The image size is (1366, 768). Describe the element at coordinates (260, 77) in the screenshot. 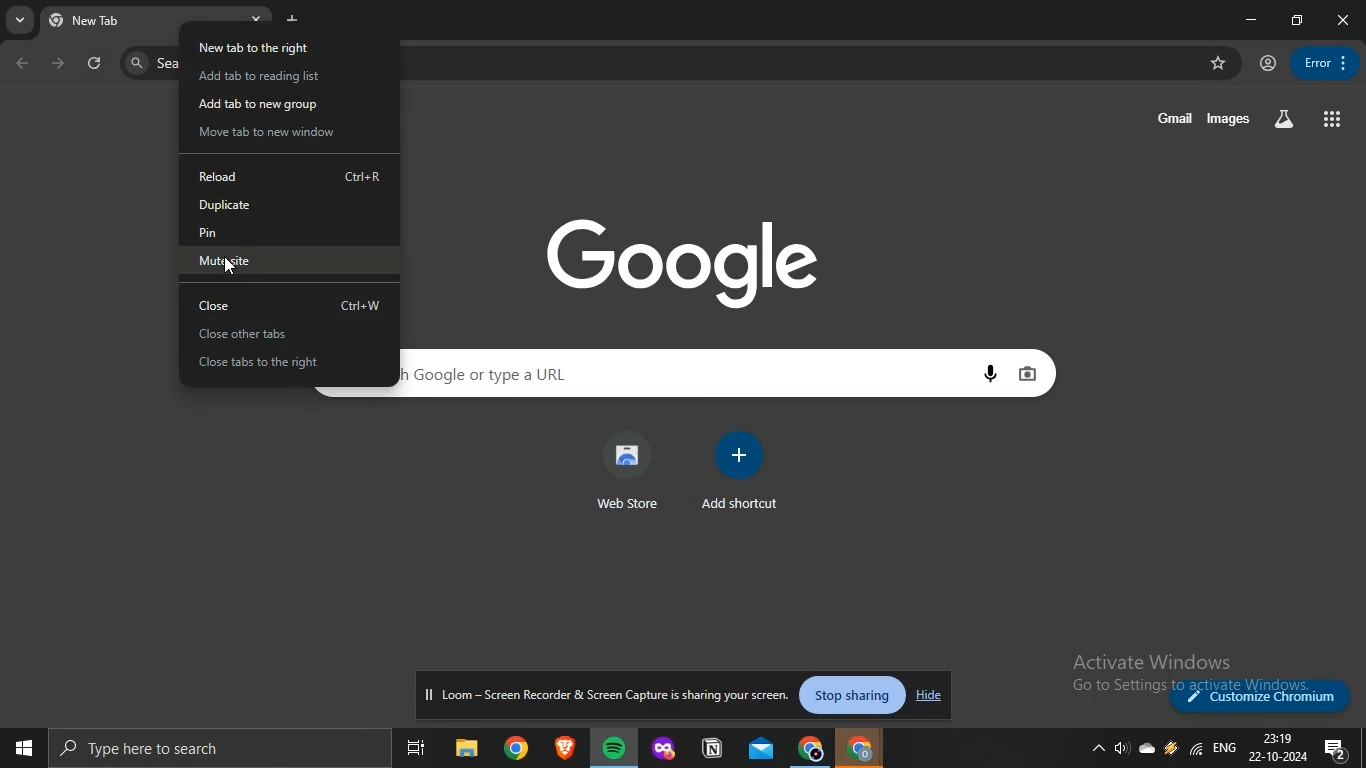

I see `add tab to reading list` at that location.